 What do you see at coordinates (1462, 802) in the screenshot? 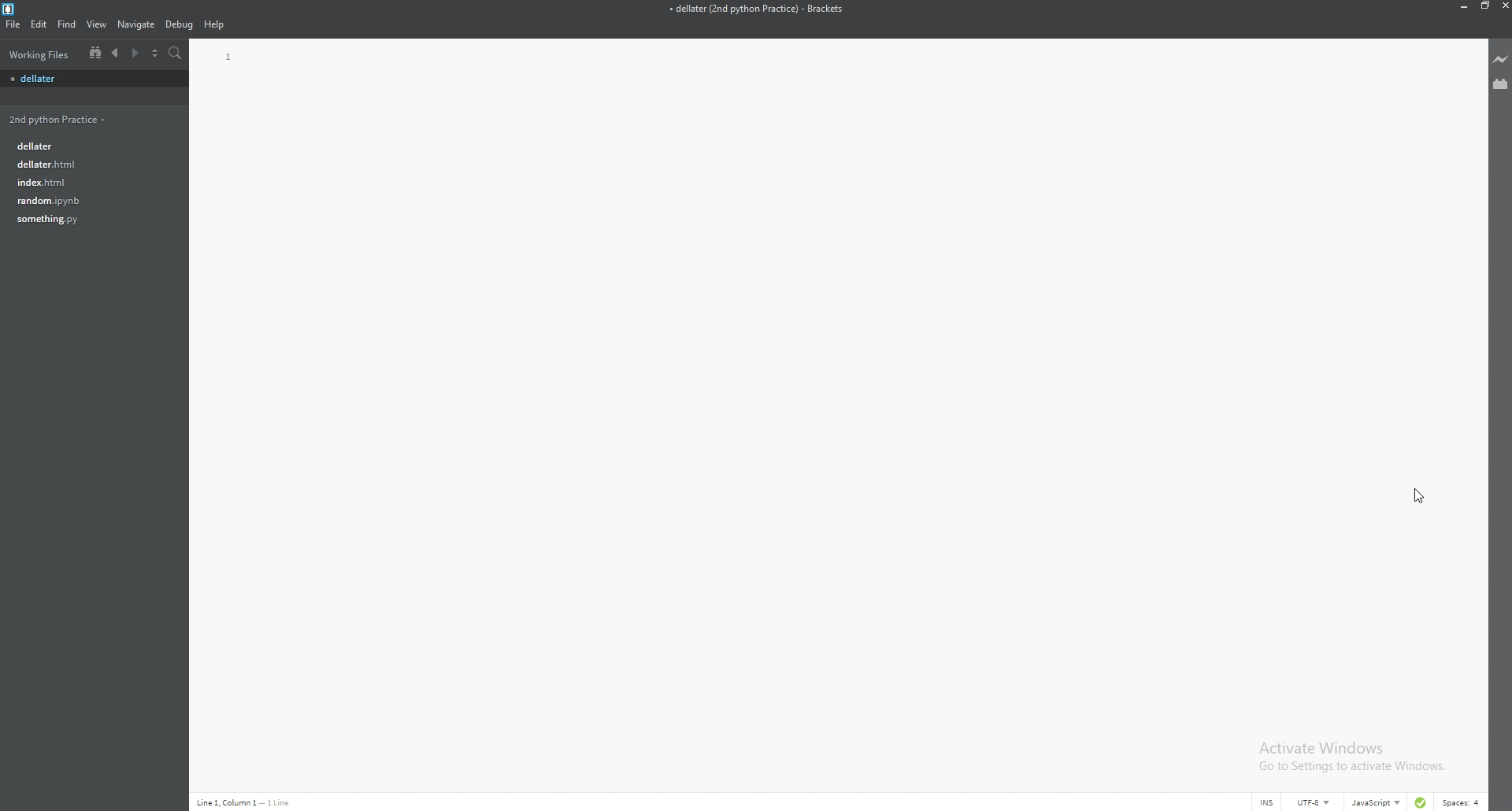
I see `spaces` at bounding box center [1462, 802].